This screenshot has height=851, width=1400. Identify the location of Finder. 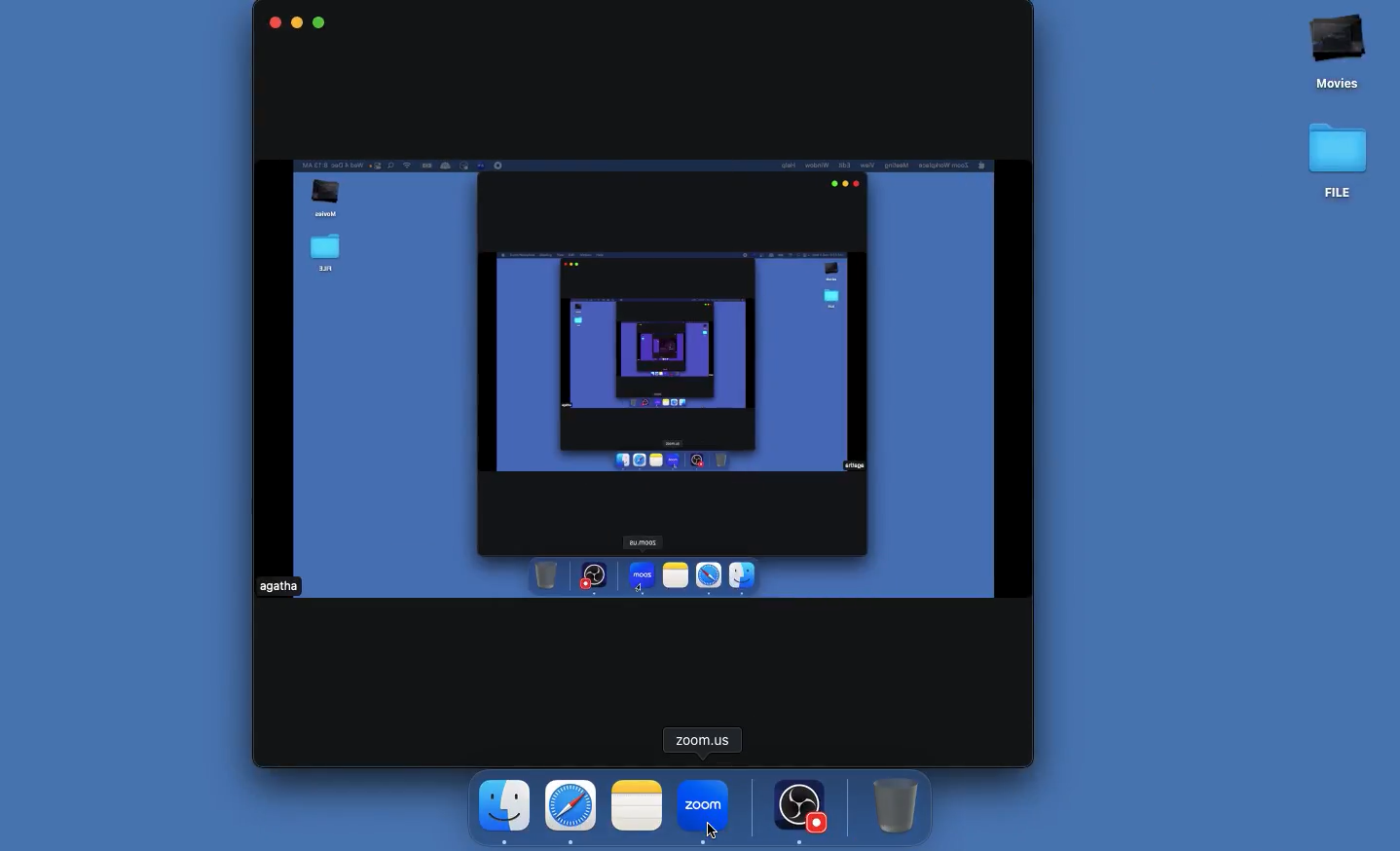
(505, 810).